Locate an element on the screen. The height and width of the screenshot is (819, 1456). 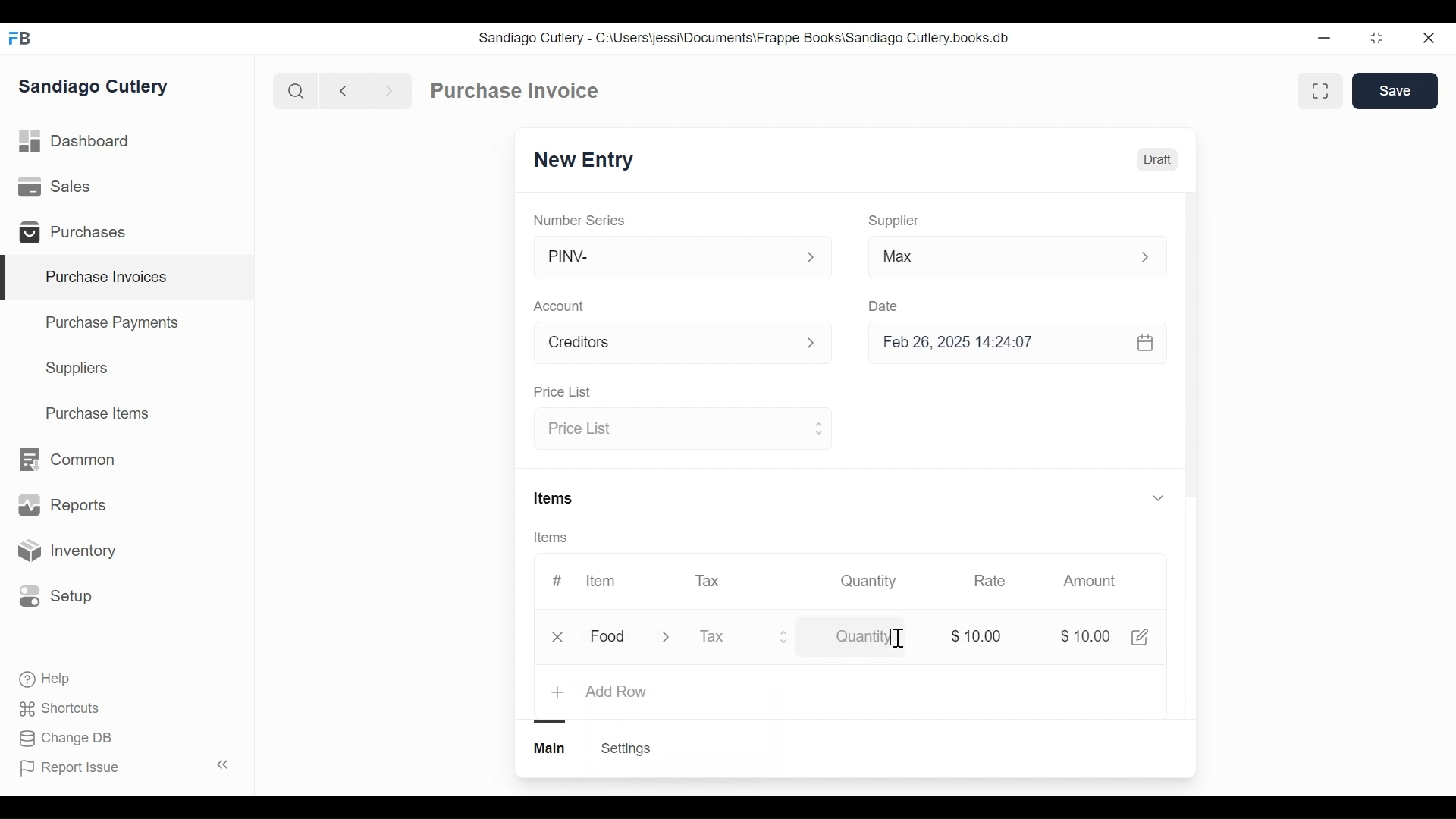
Price List is located at coordinates (561, 393).